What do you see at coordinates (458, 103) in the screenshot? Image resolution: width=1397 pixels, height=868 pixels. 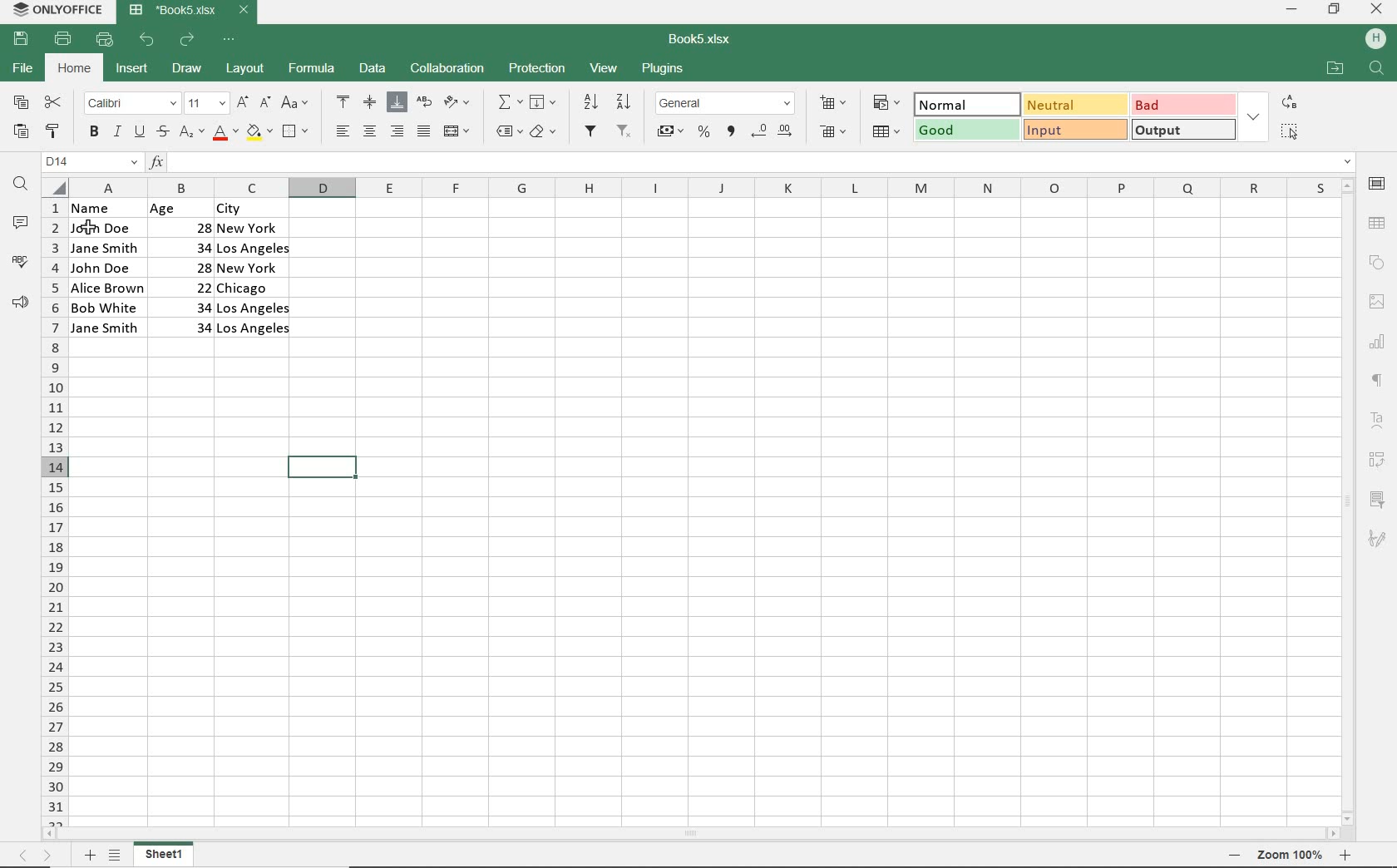 I see `ORIENTATION` at bounding box center [458, 103].